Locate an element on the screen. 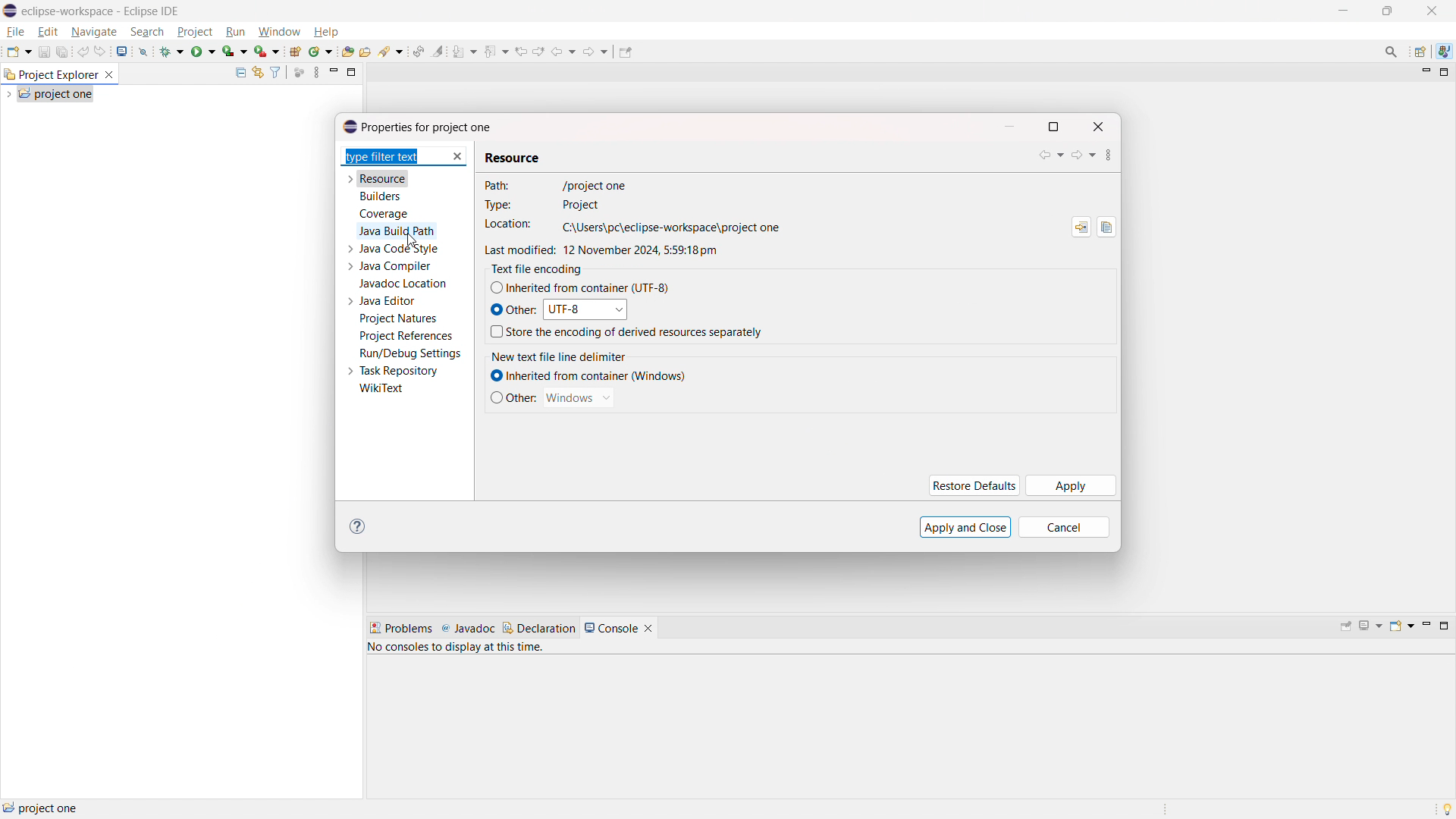 This screenshot has height=819, width=1456. minimize is located at coordinates (1011, 127).